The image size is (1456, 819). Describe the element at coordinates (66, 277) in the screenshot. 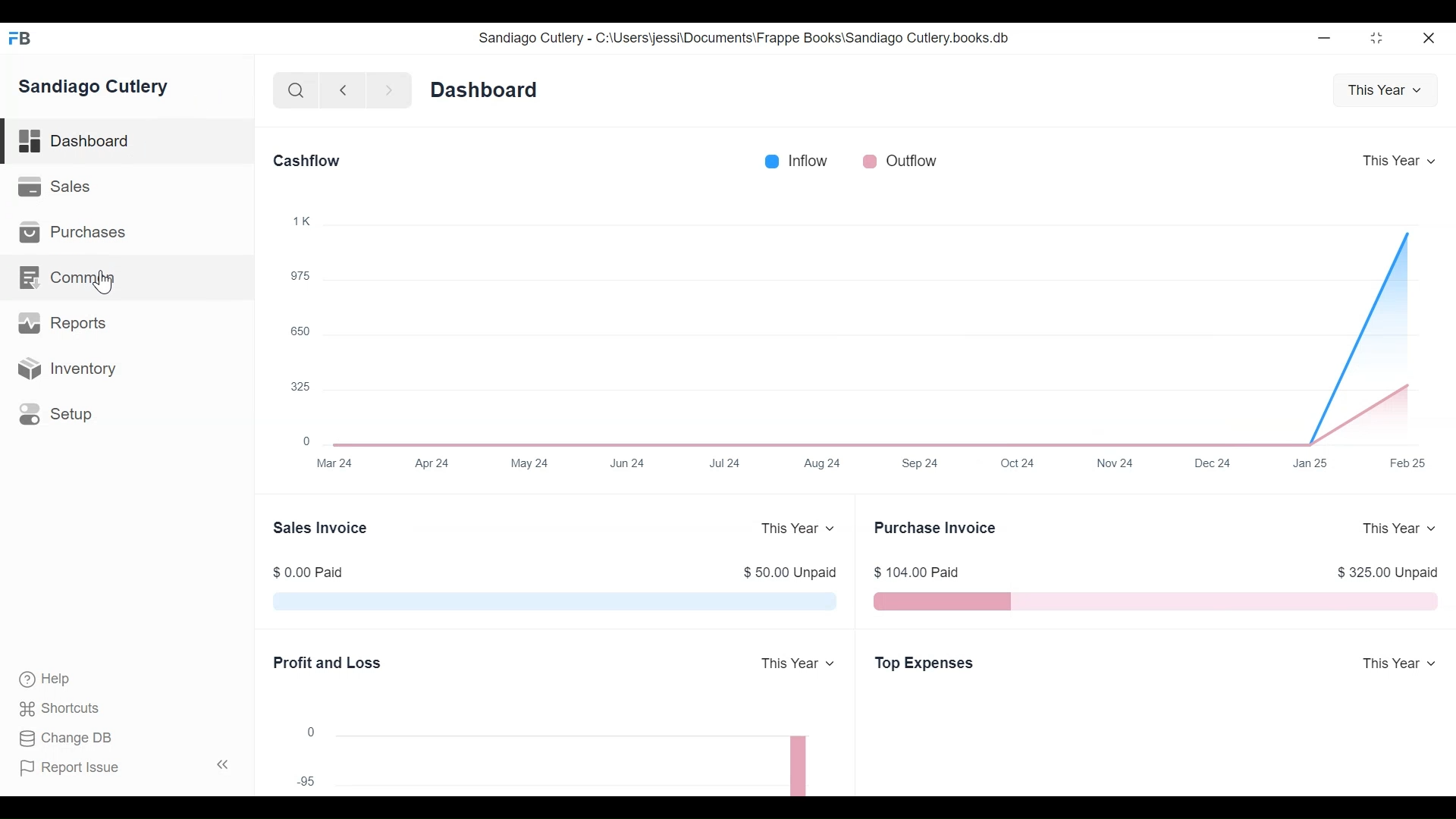

I see `Commons` at that location.